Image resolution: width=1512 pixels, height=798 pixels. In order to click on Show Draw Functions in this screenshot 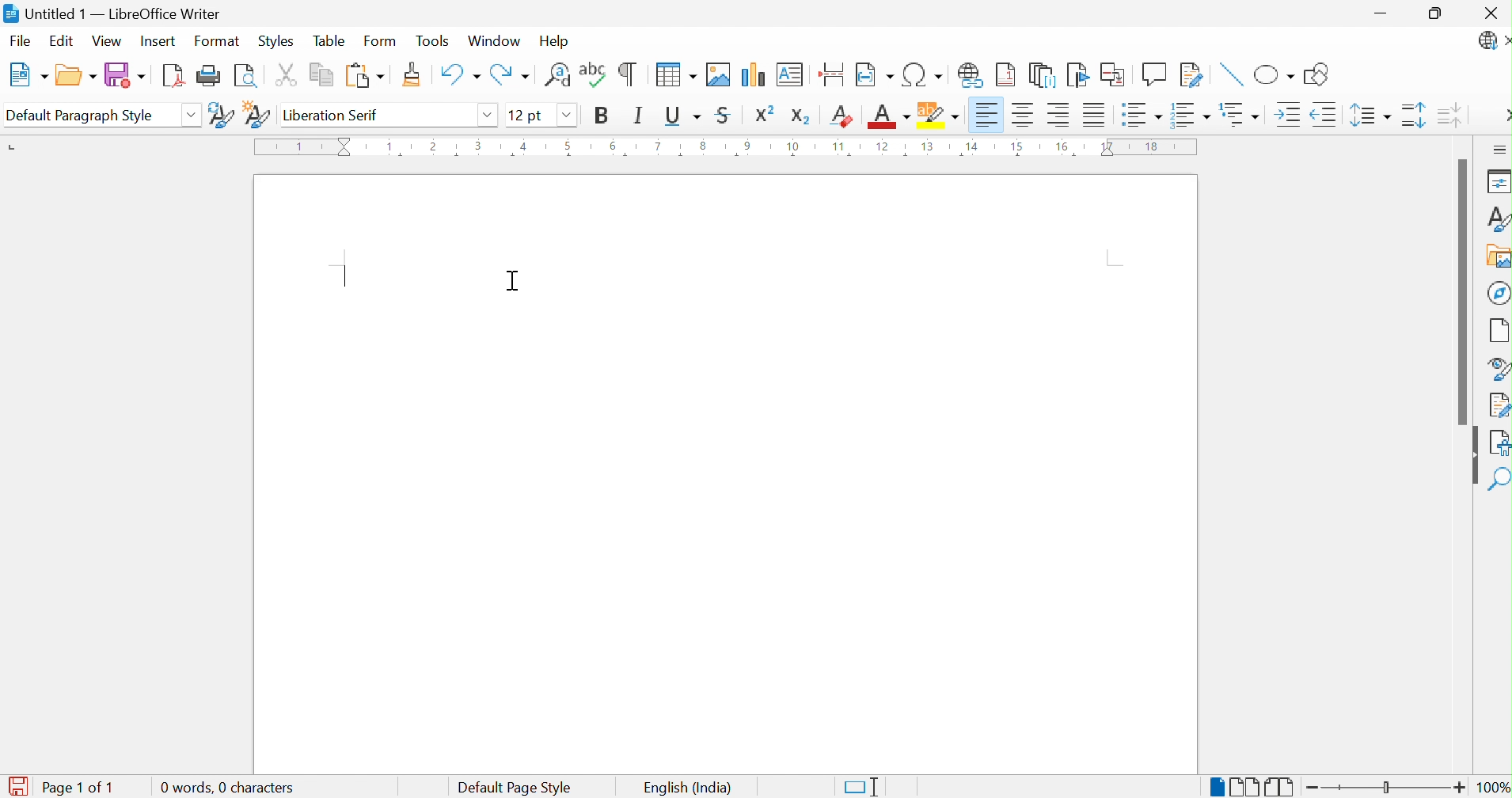, I will do `click(1318, 74)`.